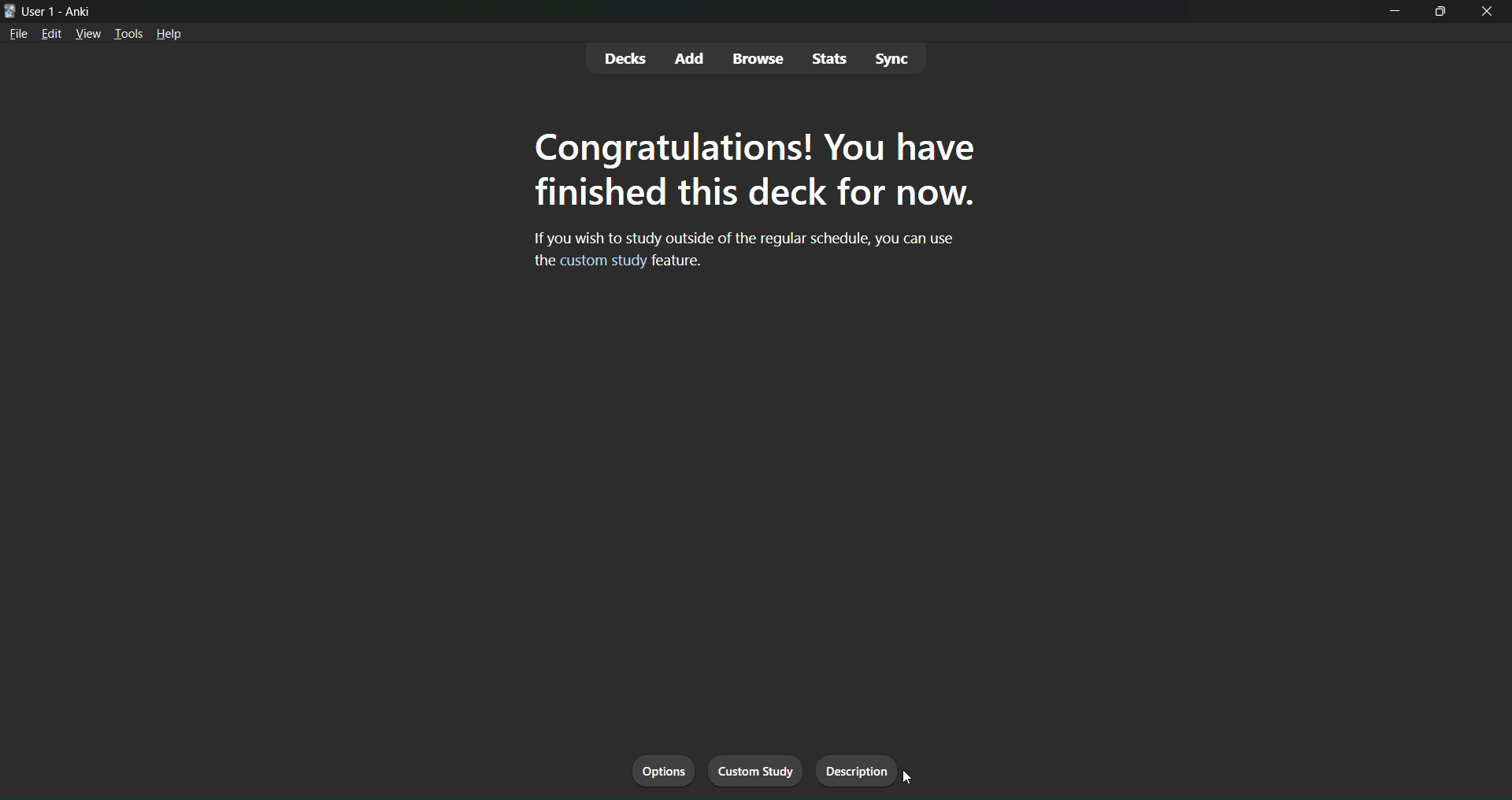  Describe the element at coordinates (911, 780) in the screenshot. I see `cursor` at that location.